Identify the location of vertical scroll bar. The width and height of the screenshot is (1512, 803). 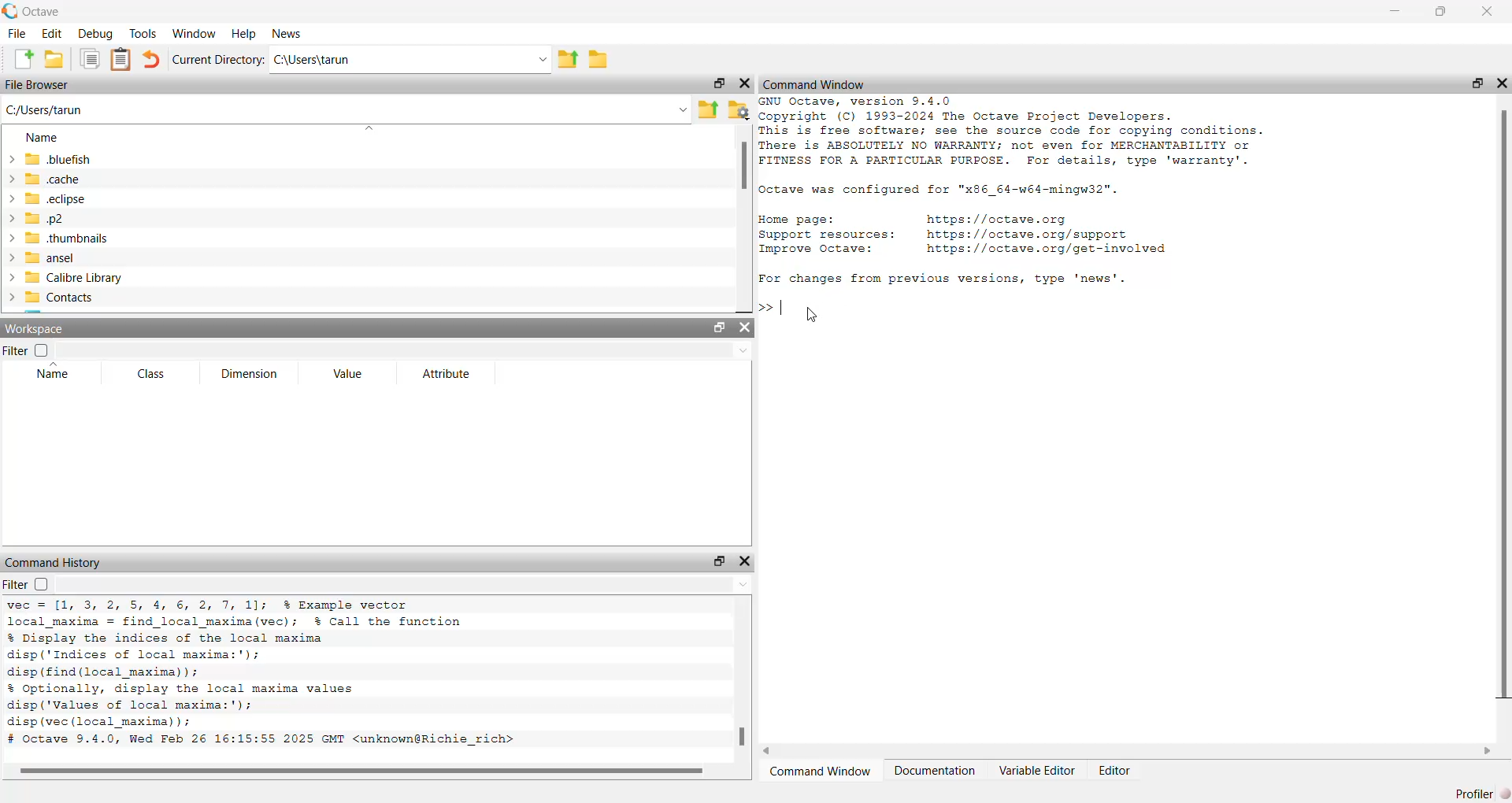
(742, 679).